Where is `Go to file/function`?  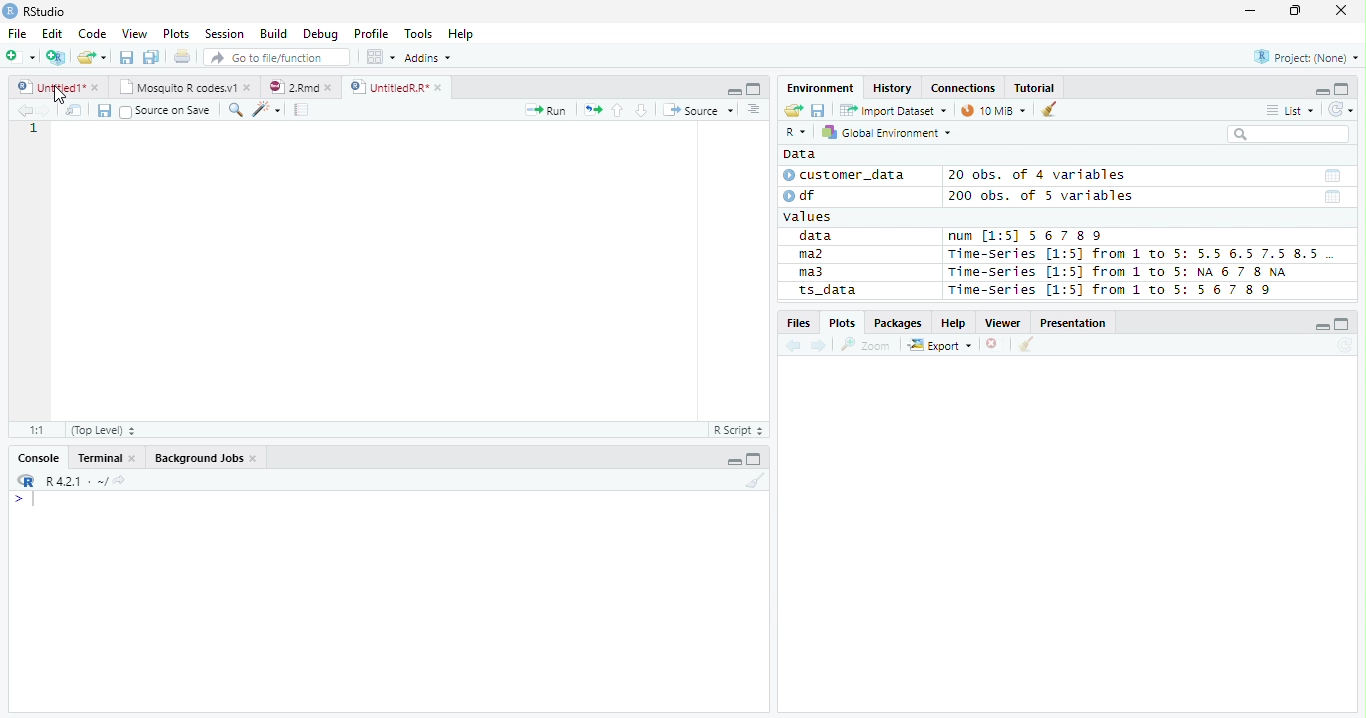 Go to file/function is located at coordinates (274, 58).